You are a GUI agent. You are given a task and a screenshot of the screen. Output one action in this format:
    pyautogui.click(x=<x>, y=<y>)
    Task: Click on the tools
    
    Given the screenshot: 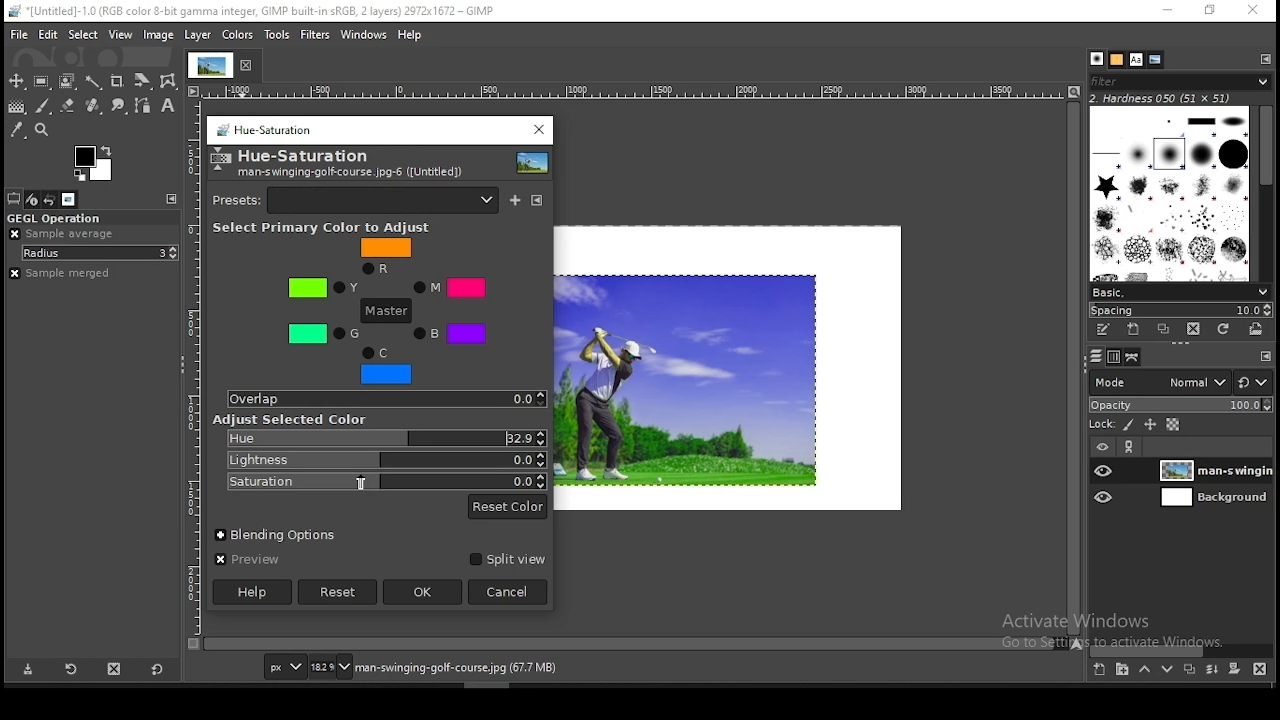 What is the action you would take?
    pyautogui.click(x=276, y=35)
    